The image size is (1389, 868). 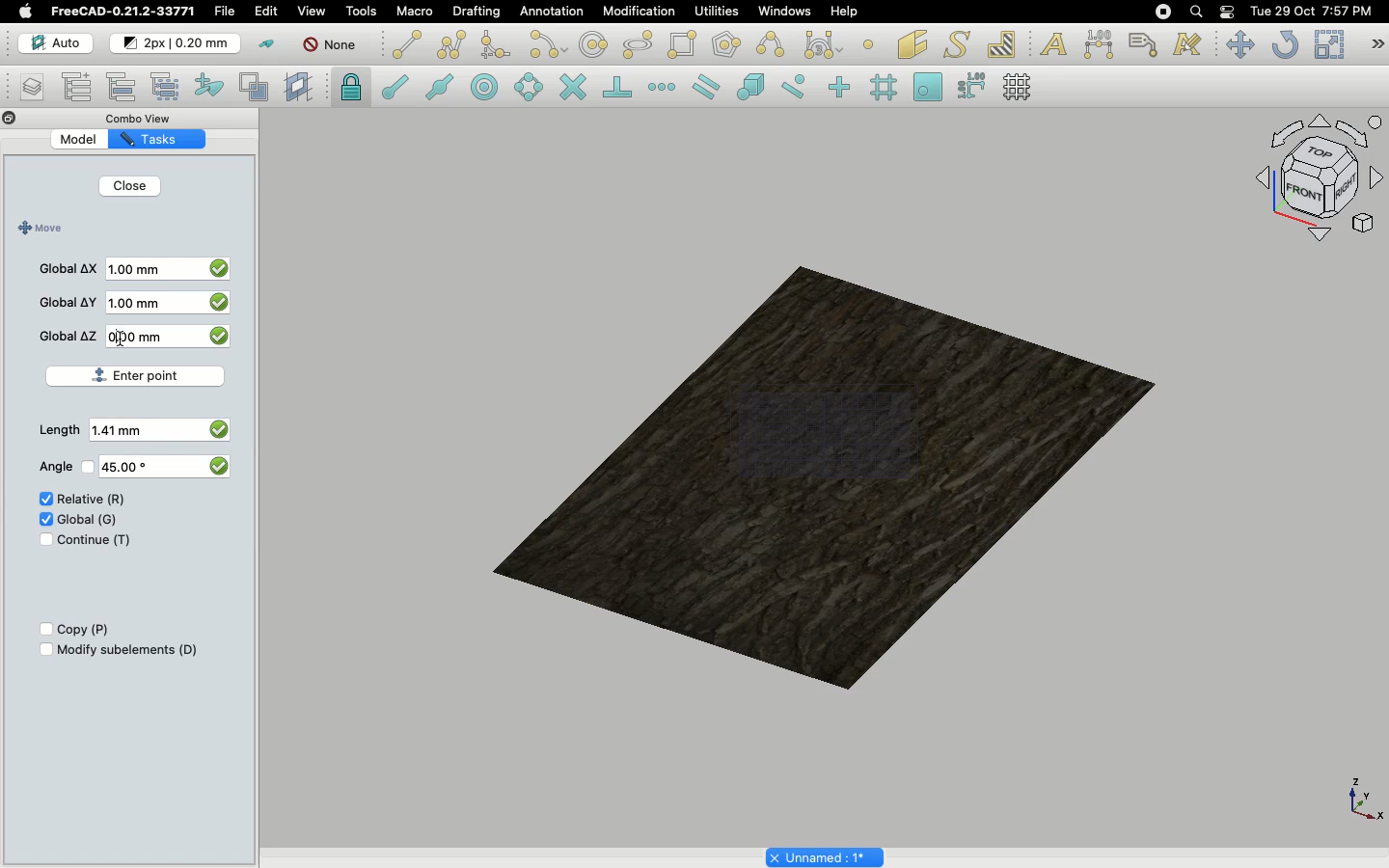 I want to click on Apple log, so click(x=26, y=11).